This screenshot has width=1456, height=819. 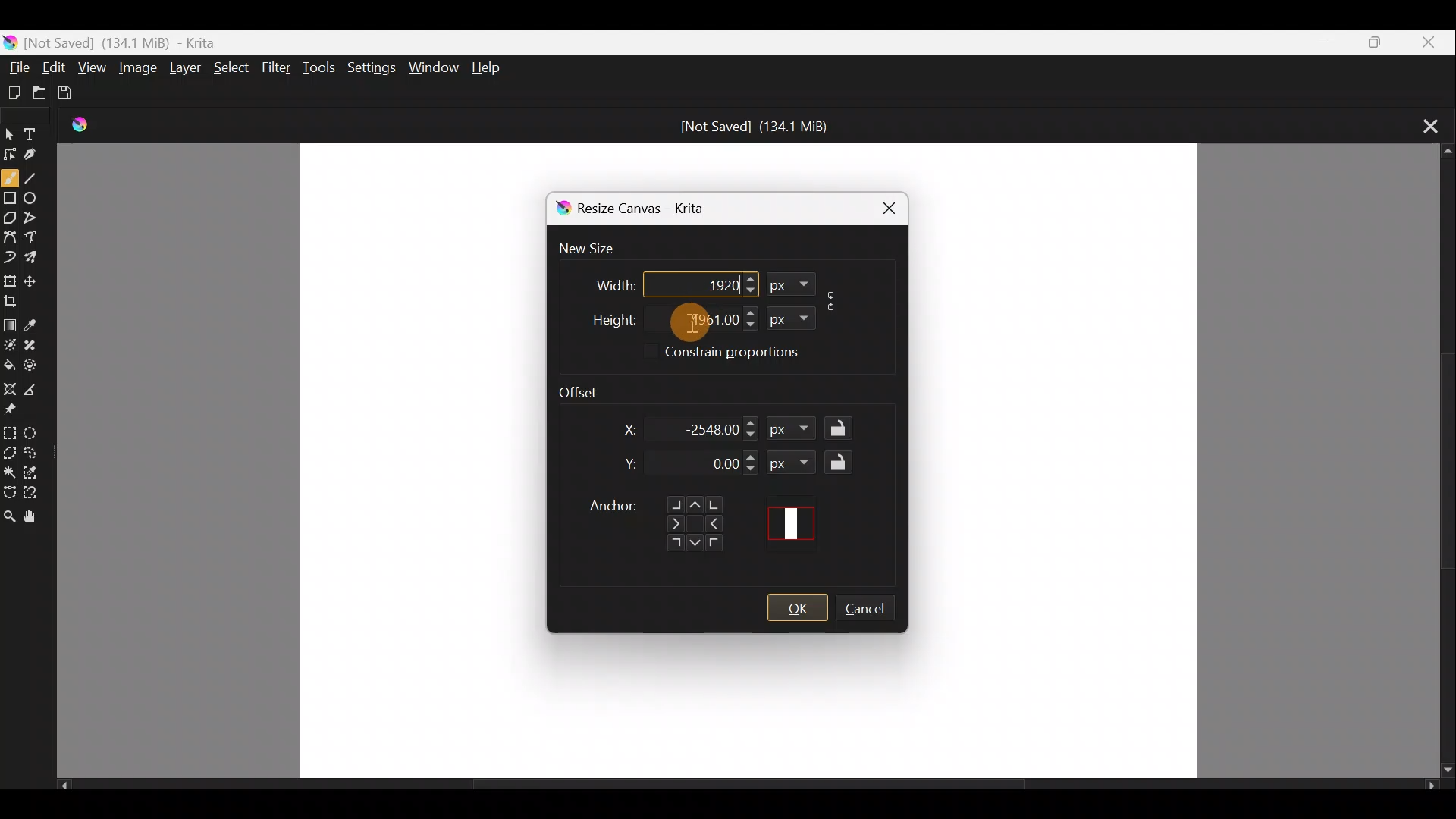 I want to click on X dimension, so click(x=620, y=429).